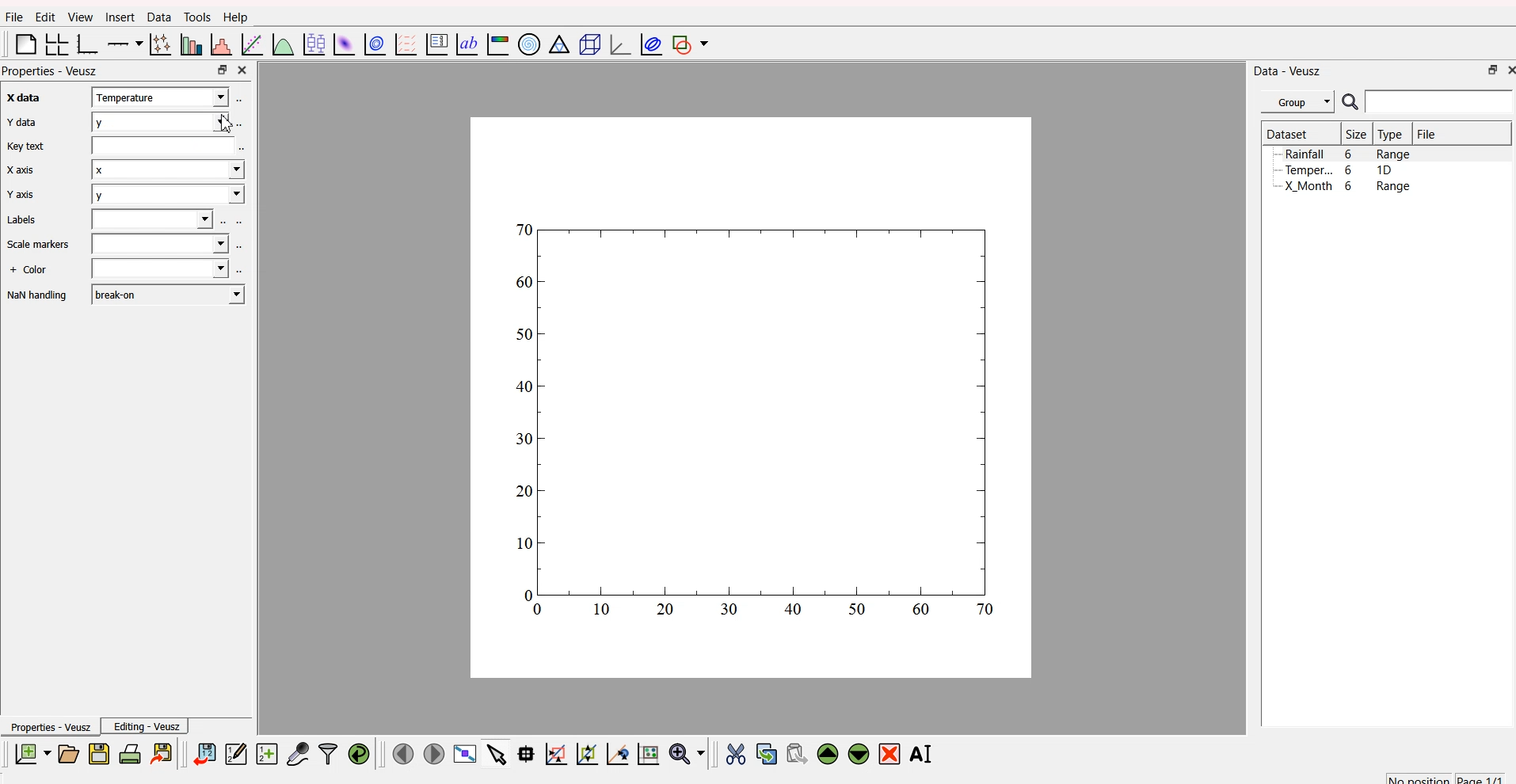 Image resolution: width=1516 pixels, height=784 pixels. What do you see at coordinates (1442, 104) in the screenshot?
I see `search bar` at bounding box center [1442, 104].